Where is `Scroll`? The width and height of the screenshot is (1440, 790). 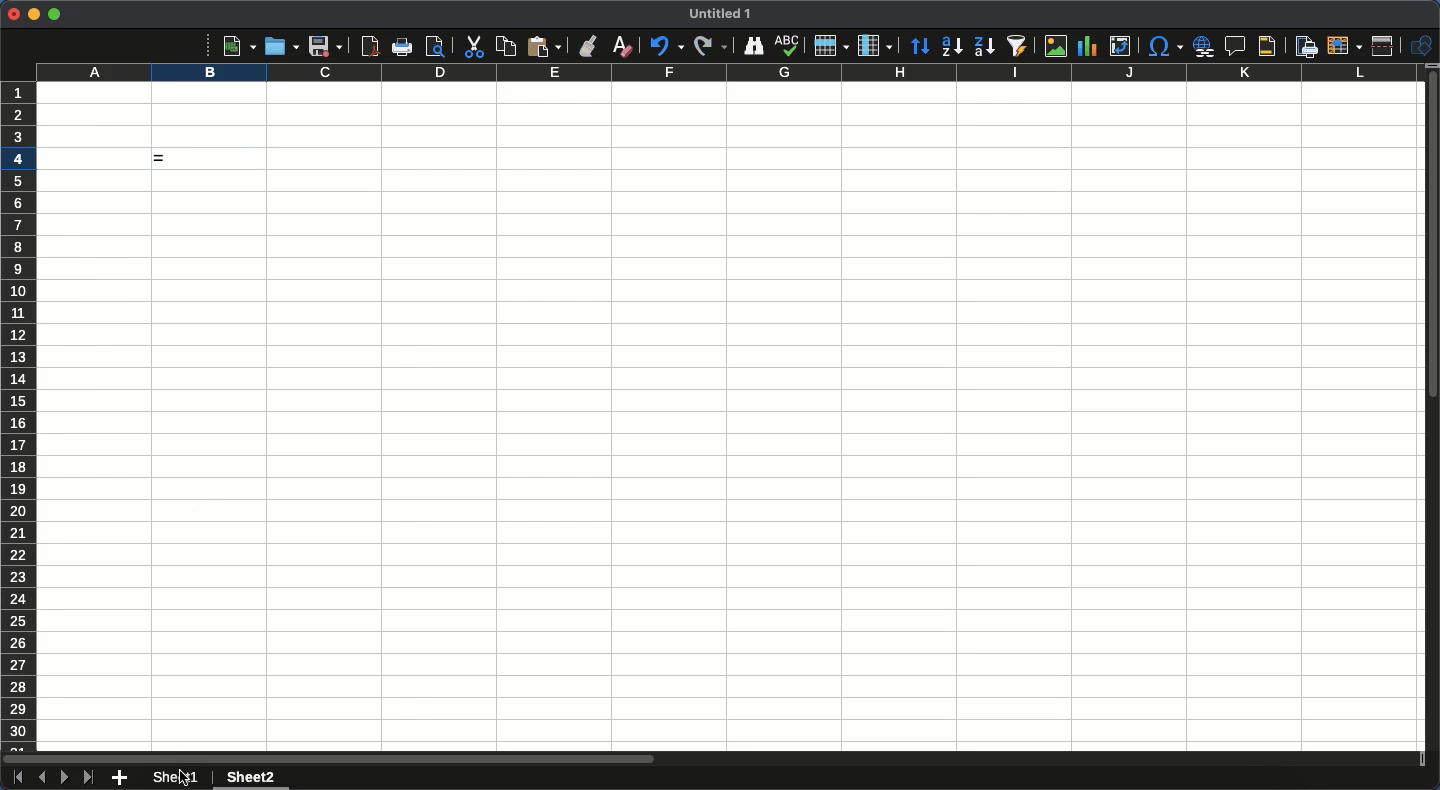
Scroll is located at coordinates (1431, 418).